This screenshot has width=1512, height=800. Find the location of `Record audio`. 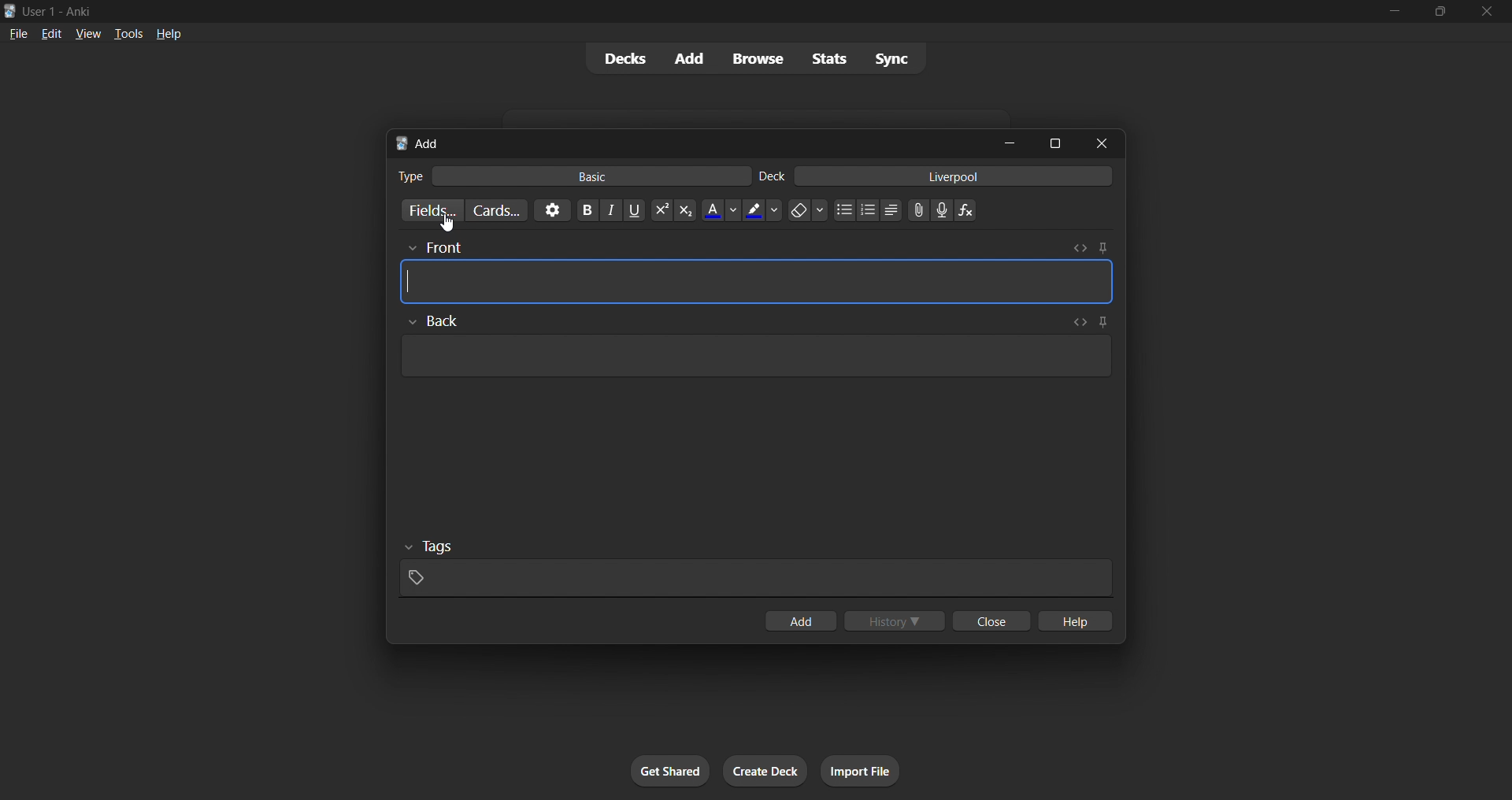

Record audio is located at coordinates (942, 210).